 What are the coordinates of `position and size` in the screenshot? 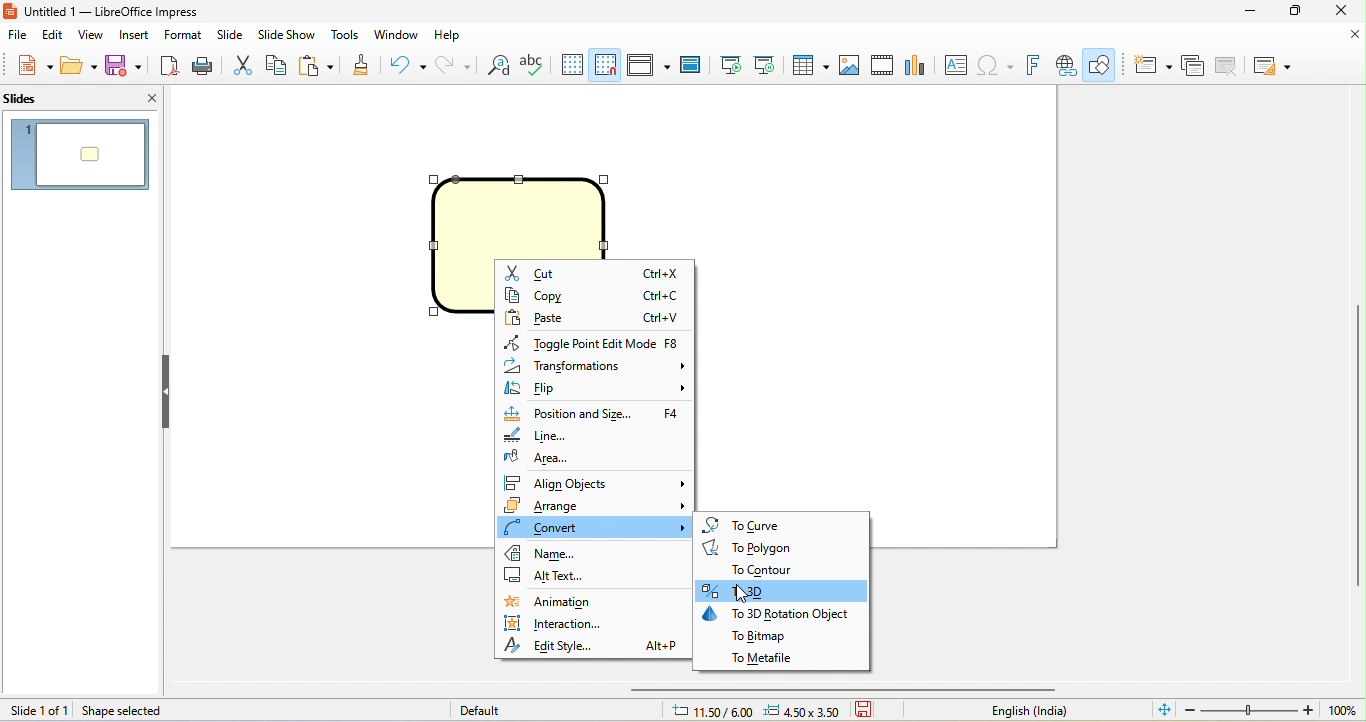 It's located at (597, 413).